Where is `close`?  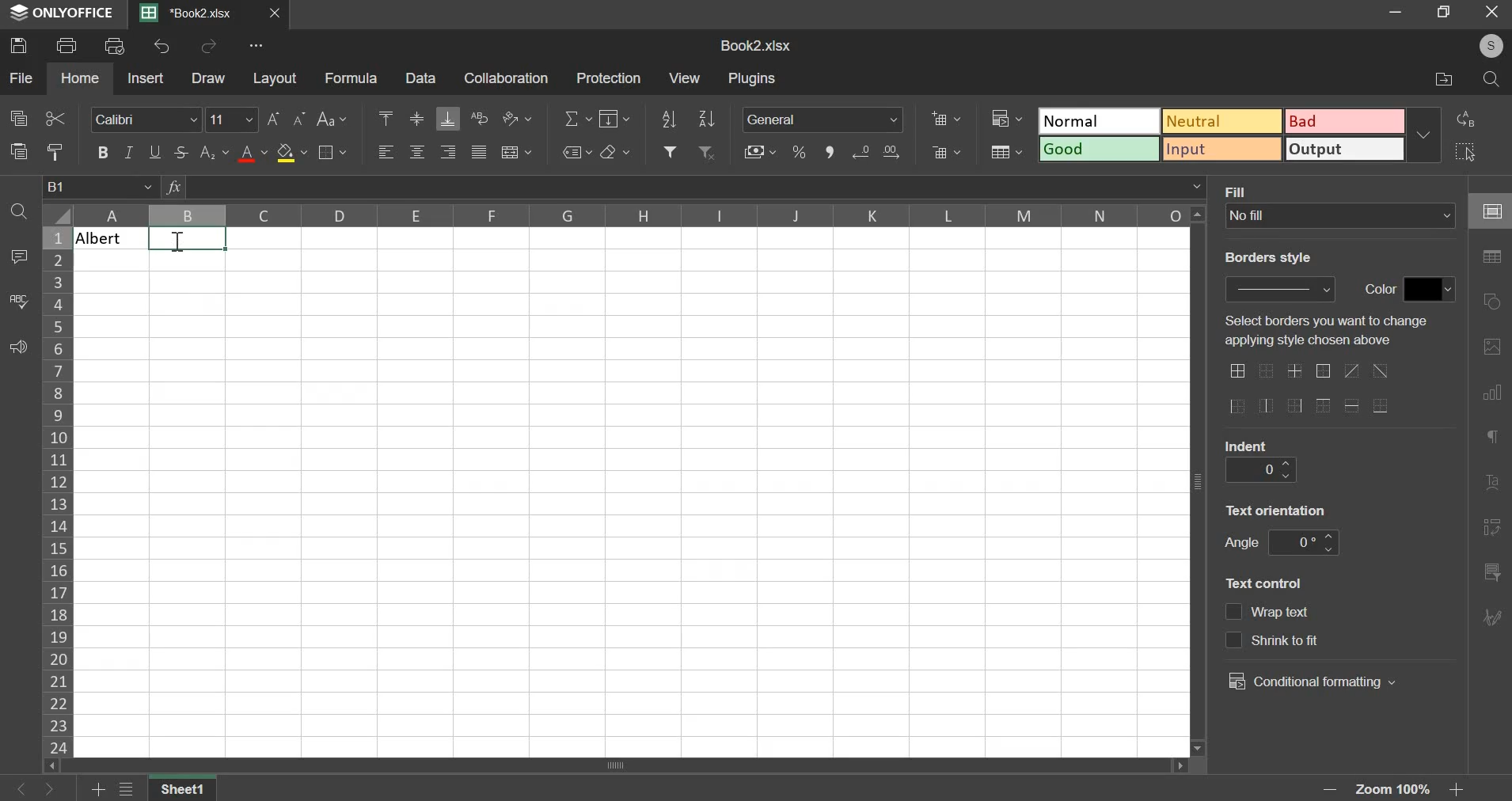 close is located at coordinates (277, 13).